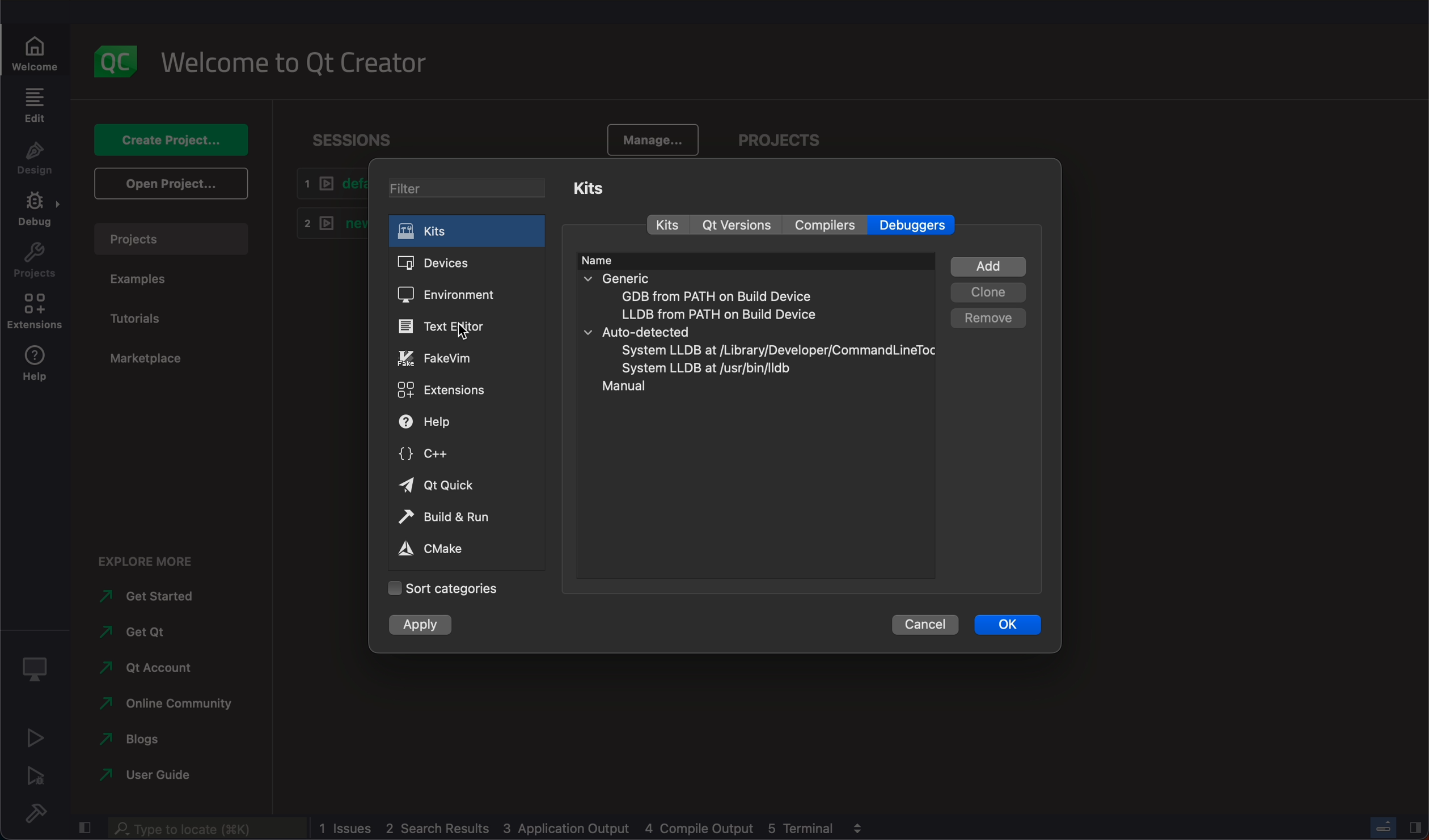 The image size is (1429, 840). What do you see at coordinates (467, 293) in the screenshot?
I see `environment` at bounding box center [467, 293].